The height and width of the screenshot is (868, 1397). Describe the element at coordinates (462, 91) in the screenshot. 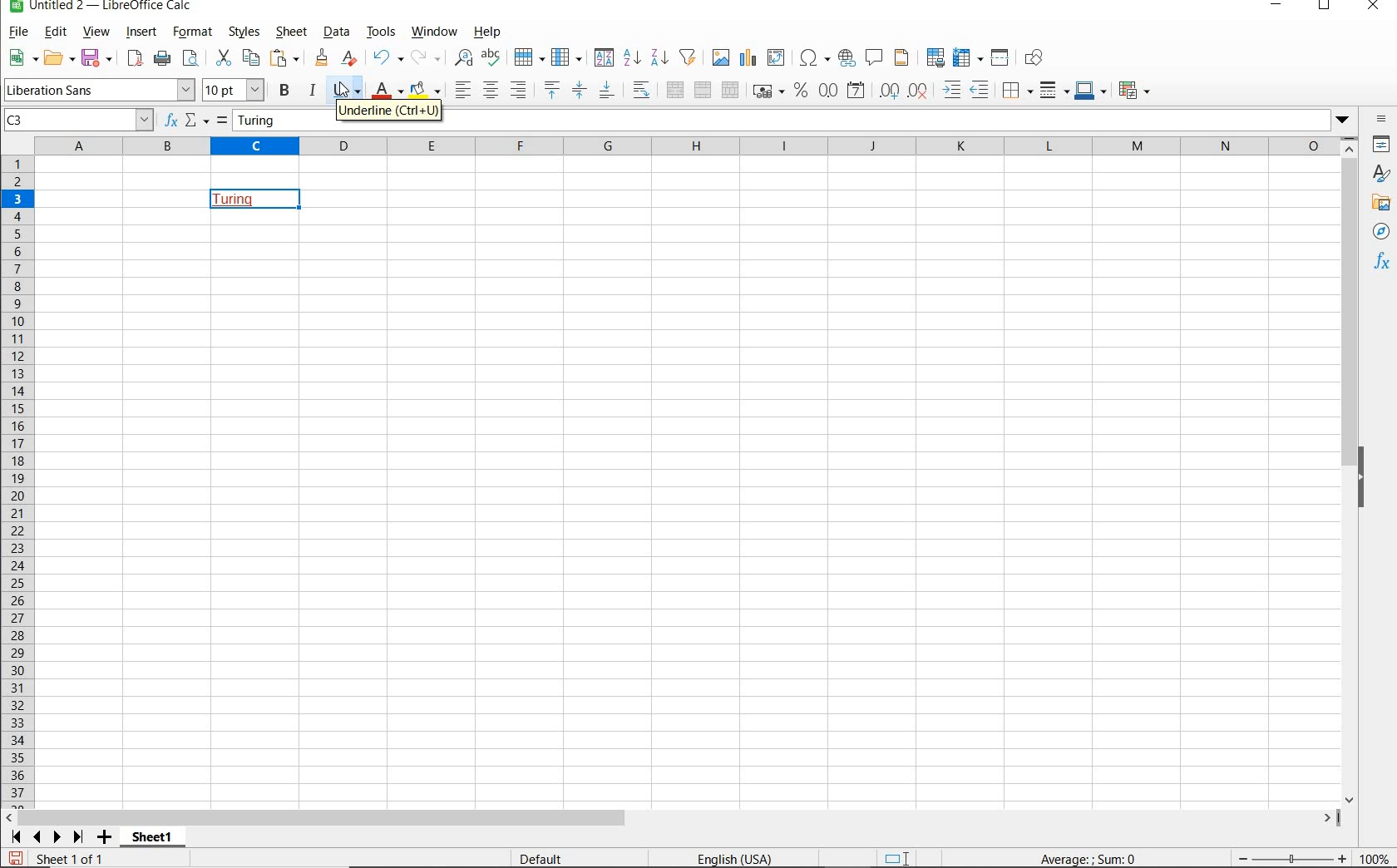

I see `ALIGN LEFT` at that location.